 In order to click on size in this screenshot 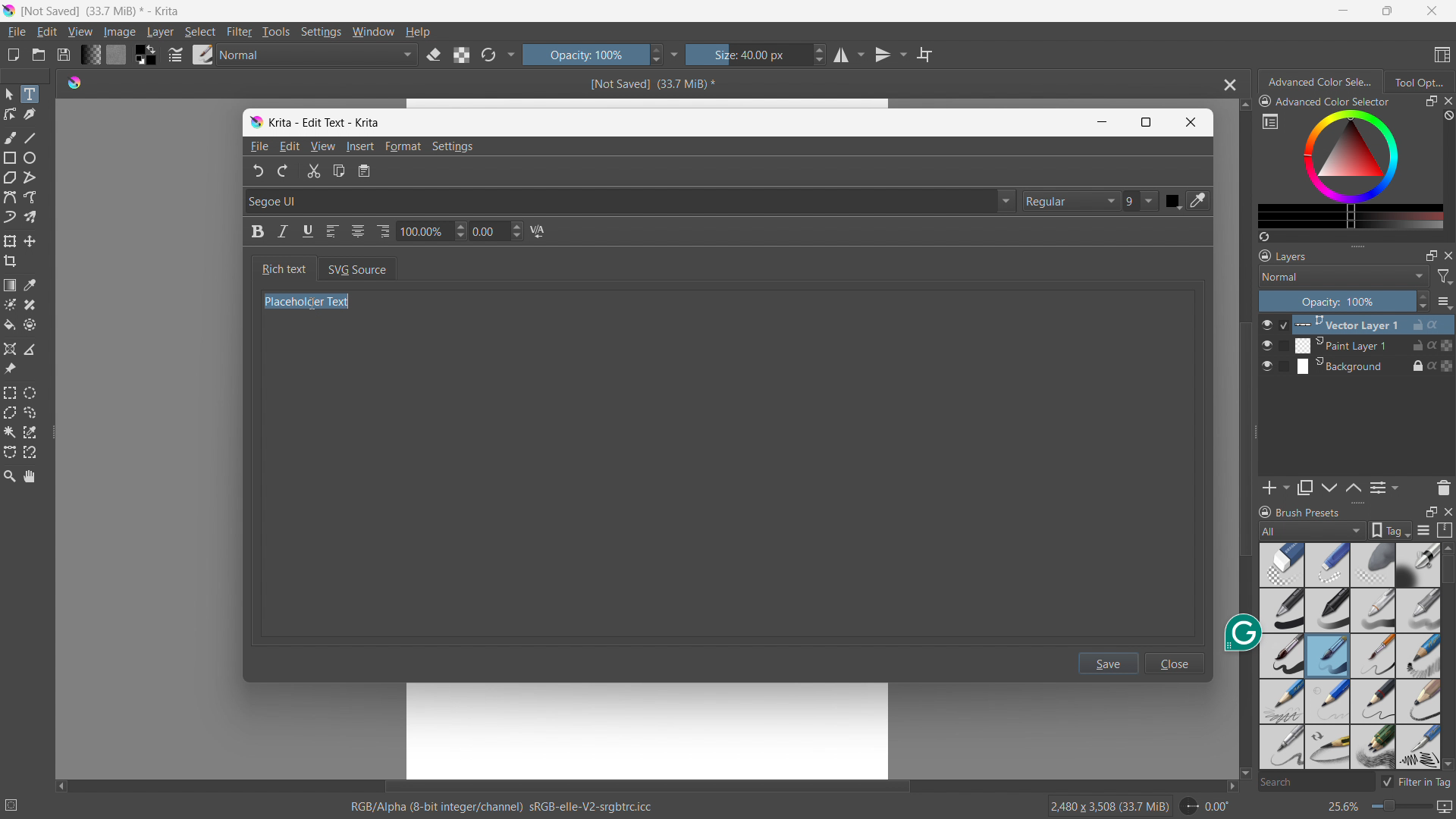, I will do `click(756, 55)`.